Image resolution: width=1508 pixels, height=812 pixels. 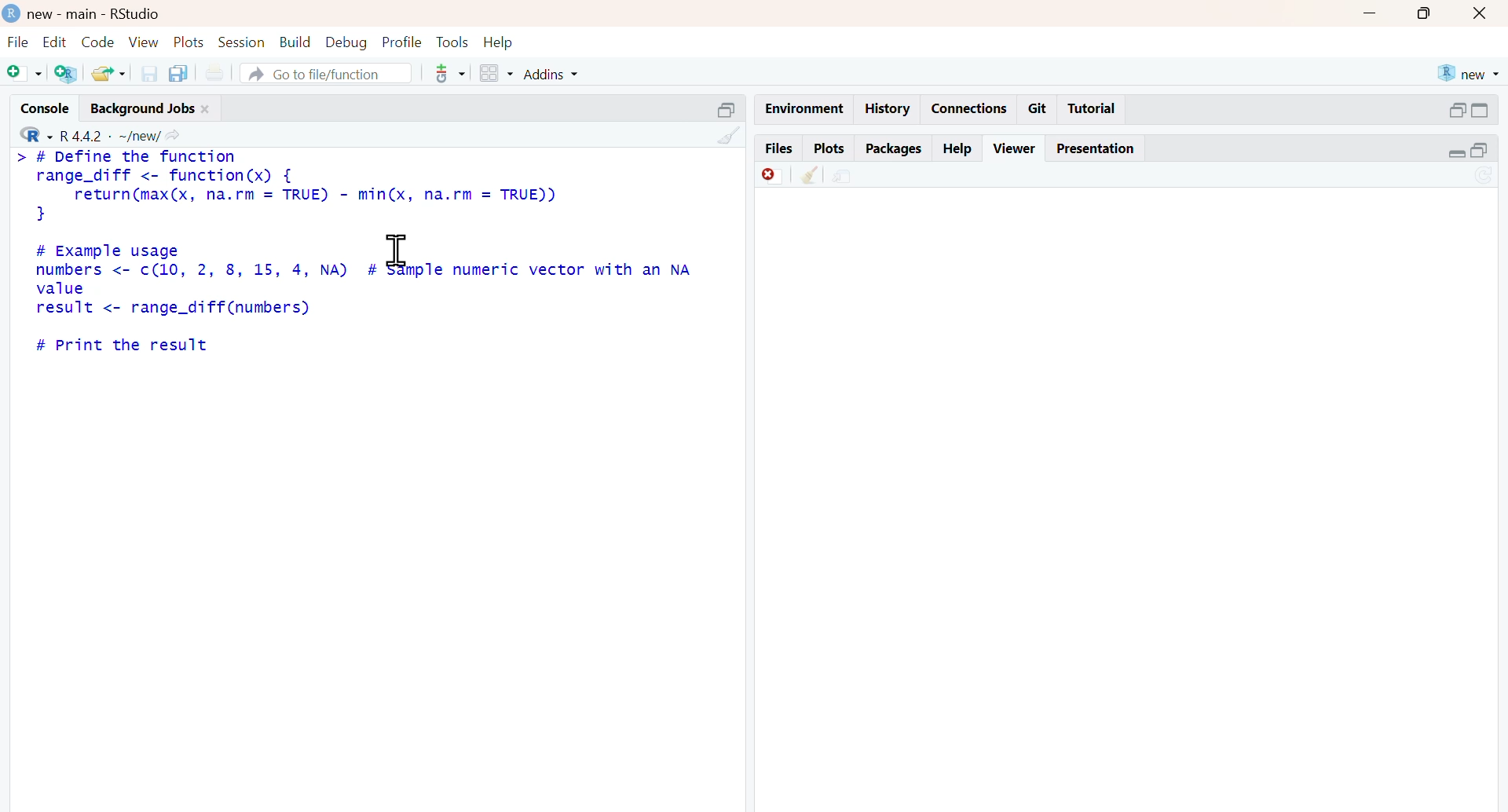 What do you see at coordinates (123, 346) in the screenshot?
I see `# Print the result` at bounding box center [123, 346].